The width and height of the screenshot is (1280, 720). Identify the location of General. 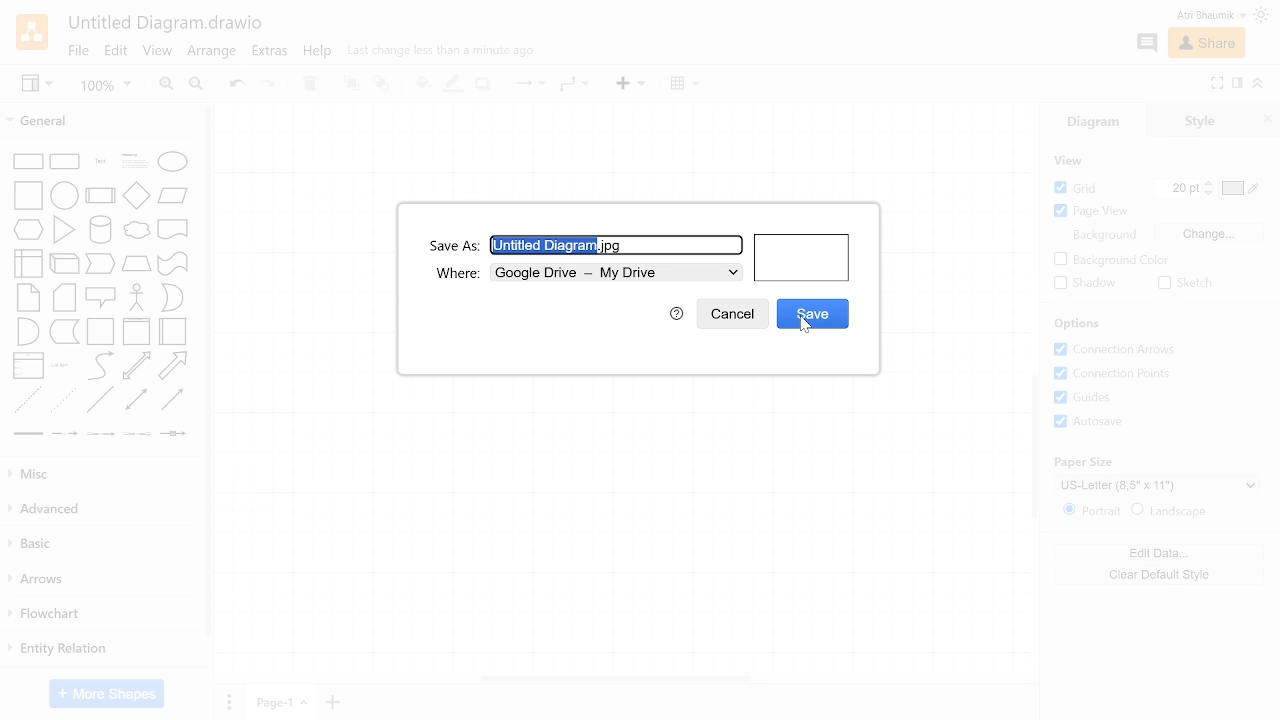
(101, 121).